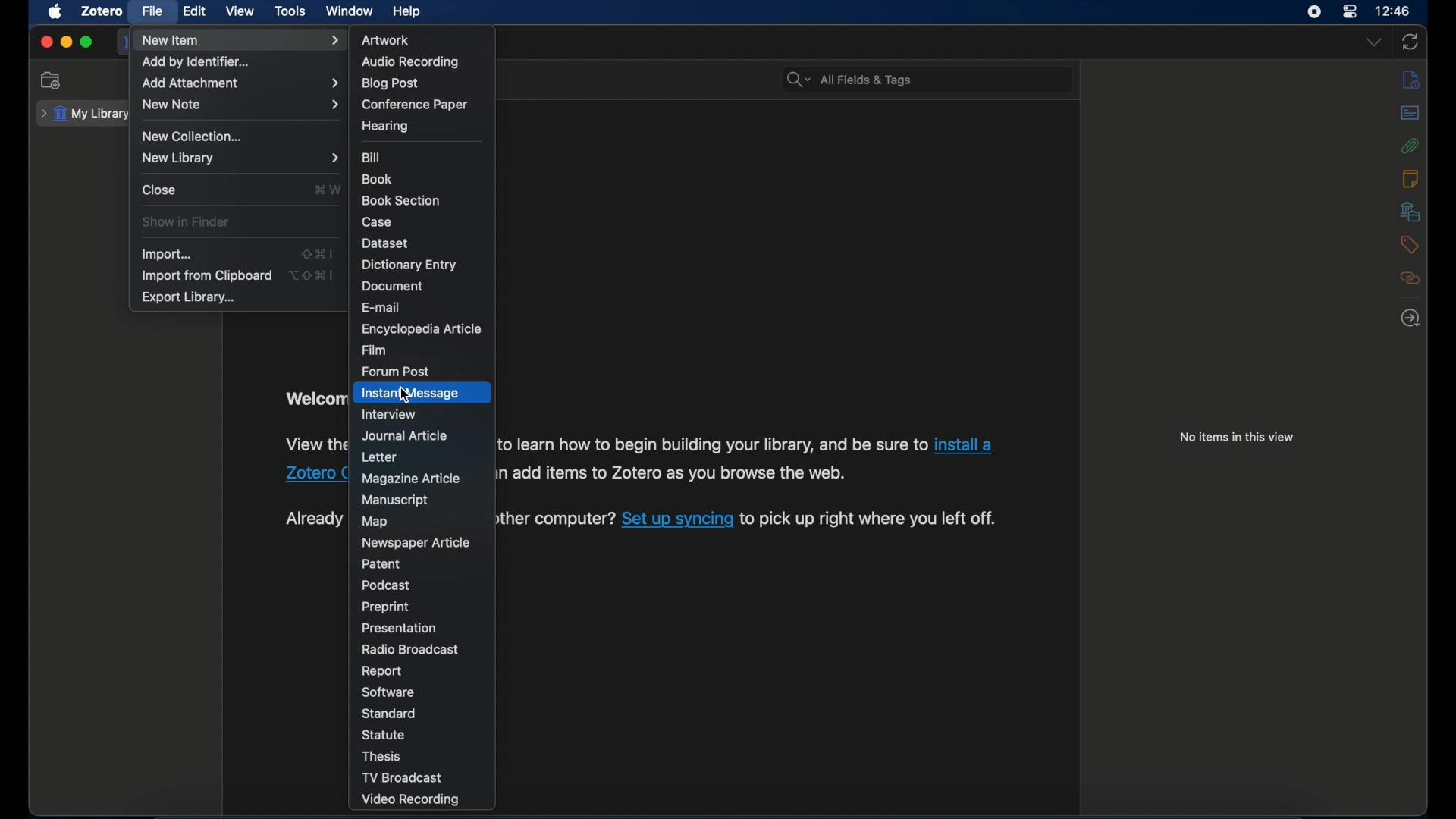 This screenshot has width=1456, height=819. I want to click on dataset, so click(386, 243).